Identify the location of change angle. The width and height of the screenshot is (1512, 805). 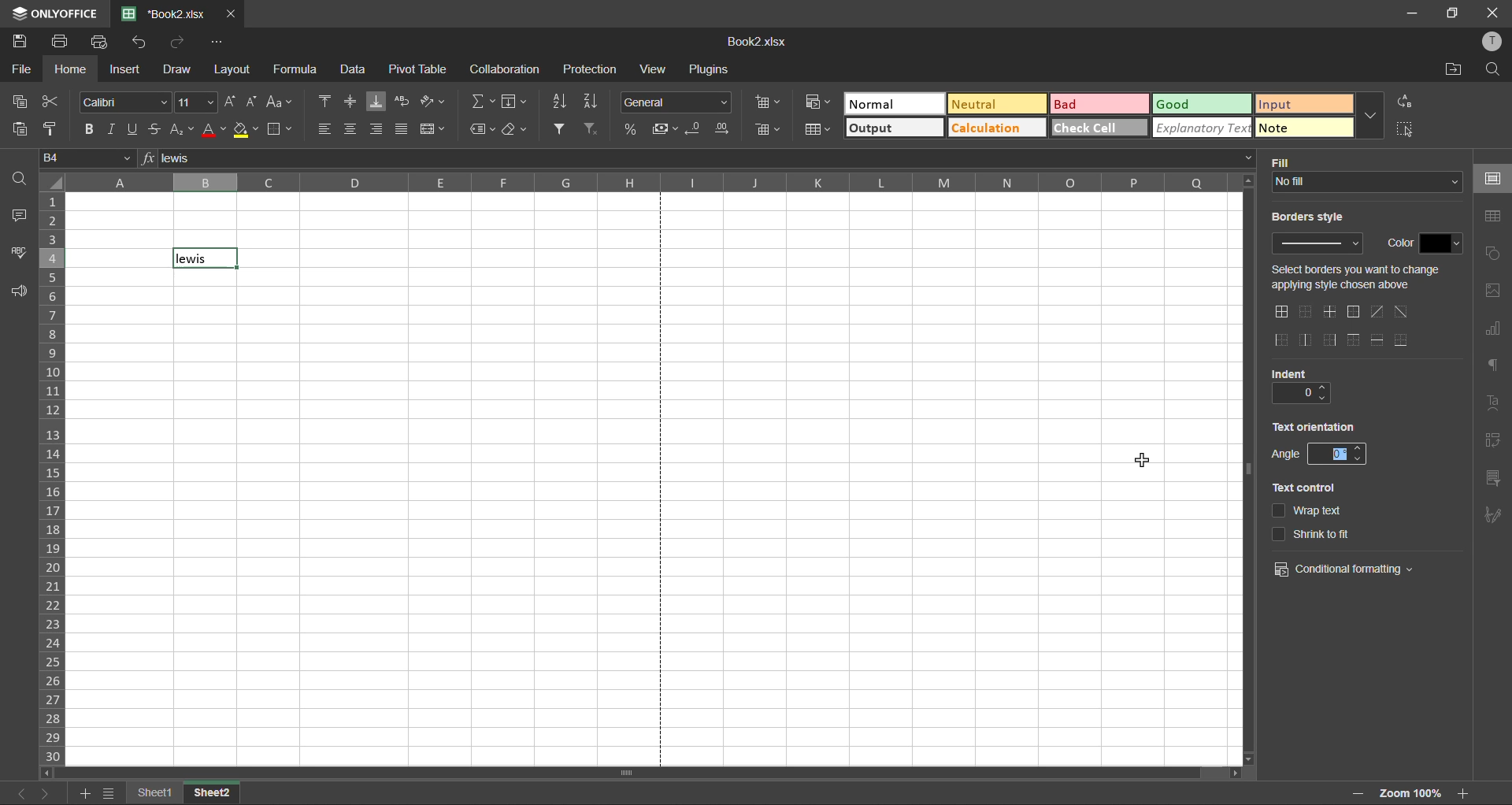
(1328, 453).